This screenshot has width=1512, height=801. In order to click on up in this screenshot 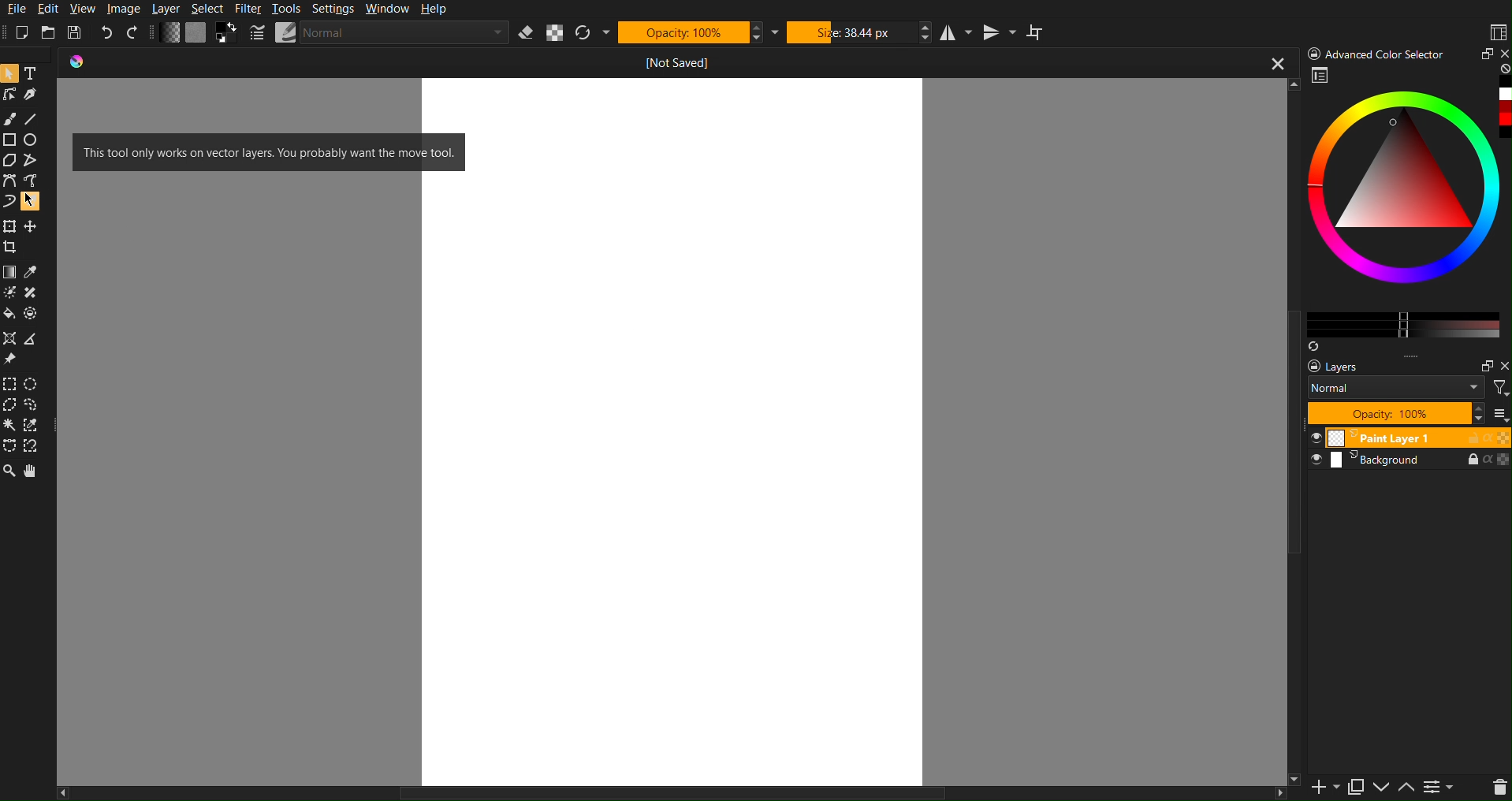, I will do `click(1406, 789)`.